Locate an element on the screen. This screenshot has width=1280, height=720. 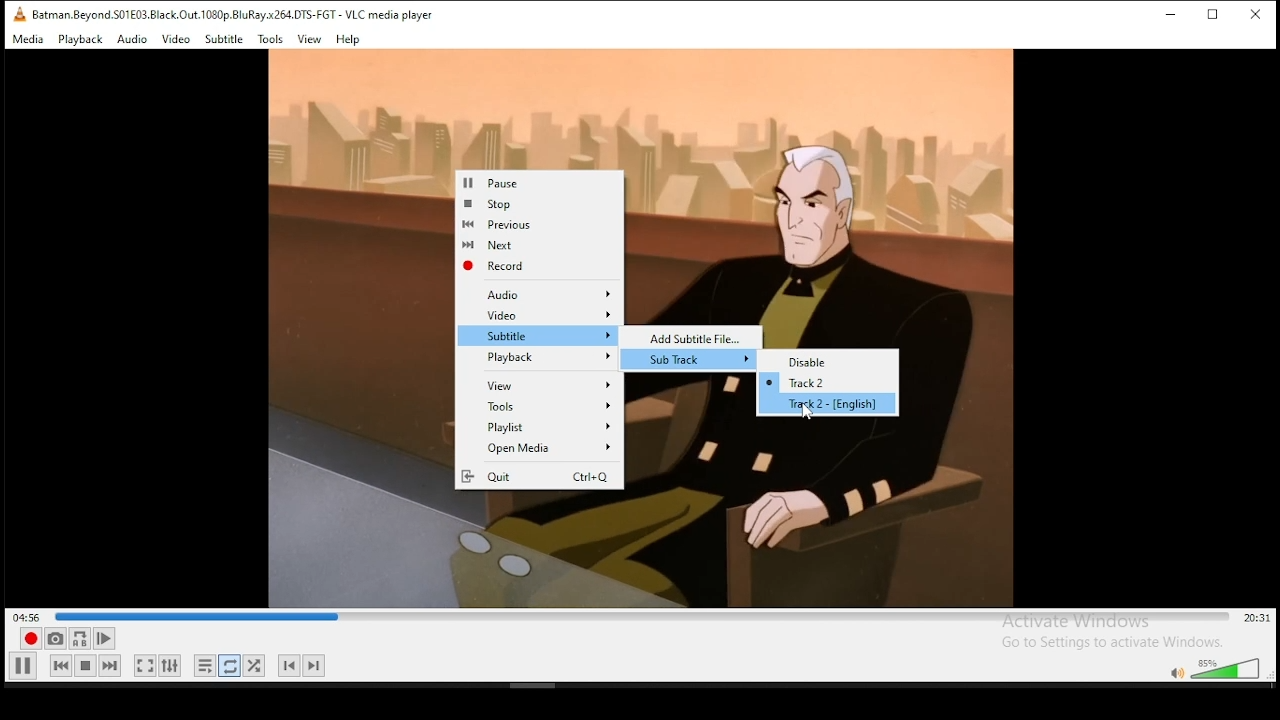
volumne control is located at coordinates (1214, 669).